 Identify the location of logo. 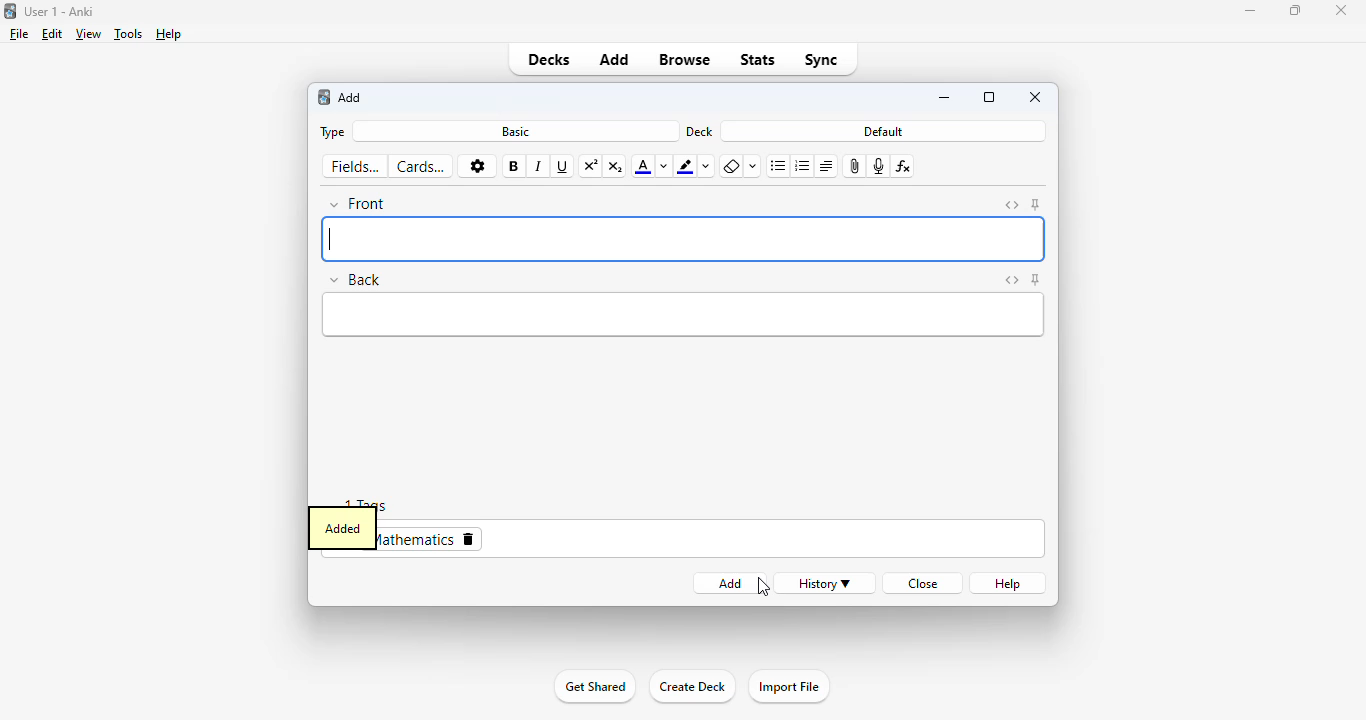
(9, 11).